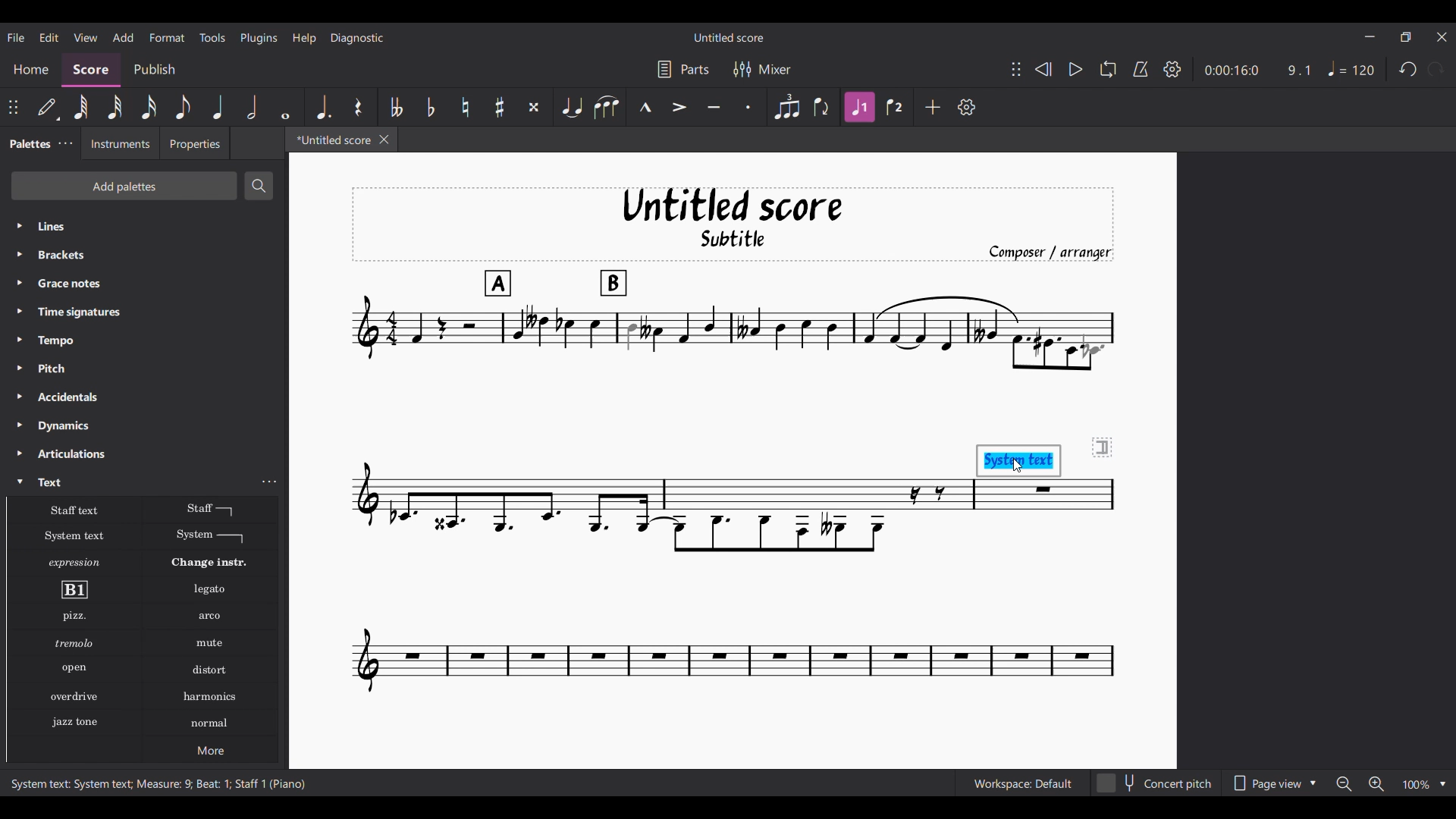 The height and width of the screenshot is (819, 1456). Describe the element at coordinates (679, 107) in the screenshot. I see `Accent` at that location.